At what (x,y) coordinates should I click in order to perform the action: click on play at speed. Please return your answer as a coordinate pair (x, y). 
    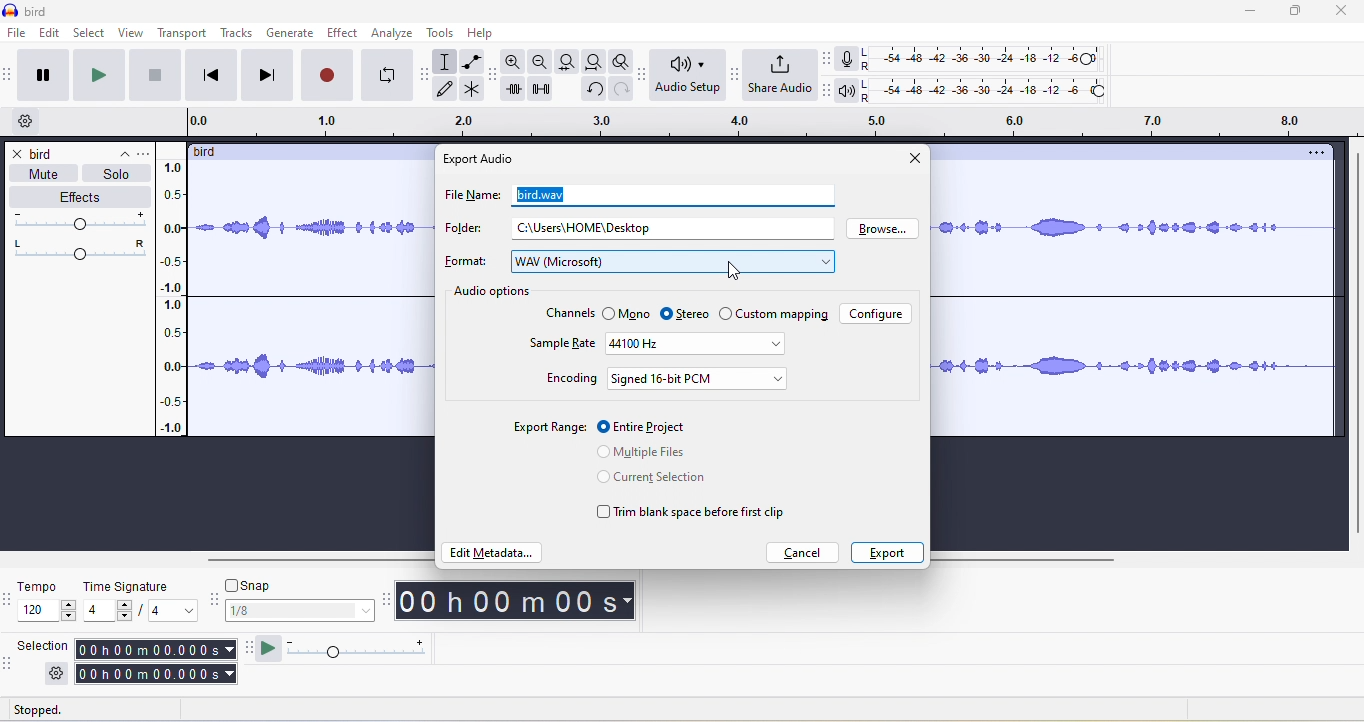
    Looking at the image, I should click on (267, 648).